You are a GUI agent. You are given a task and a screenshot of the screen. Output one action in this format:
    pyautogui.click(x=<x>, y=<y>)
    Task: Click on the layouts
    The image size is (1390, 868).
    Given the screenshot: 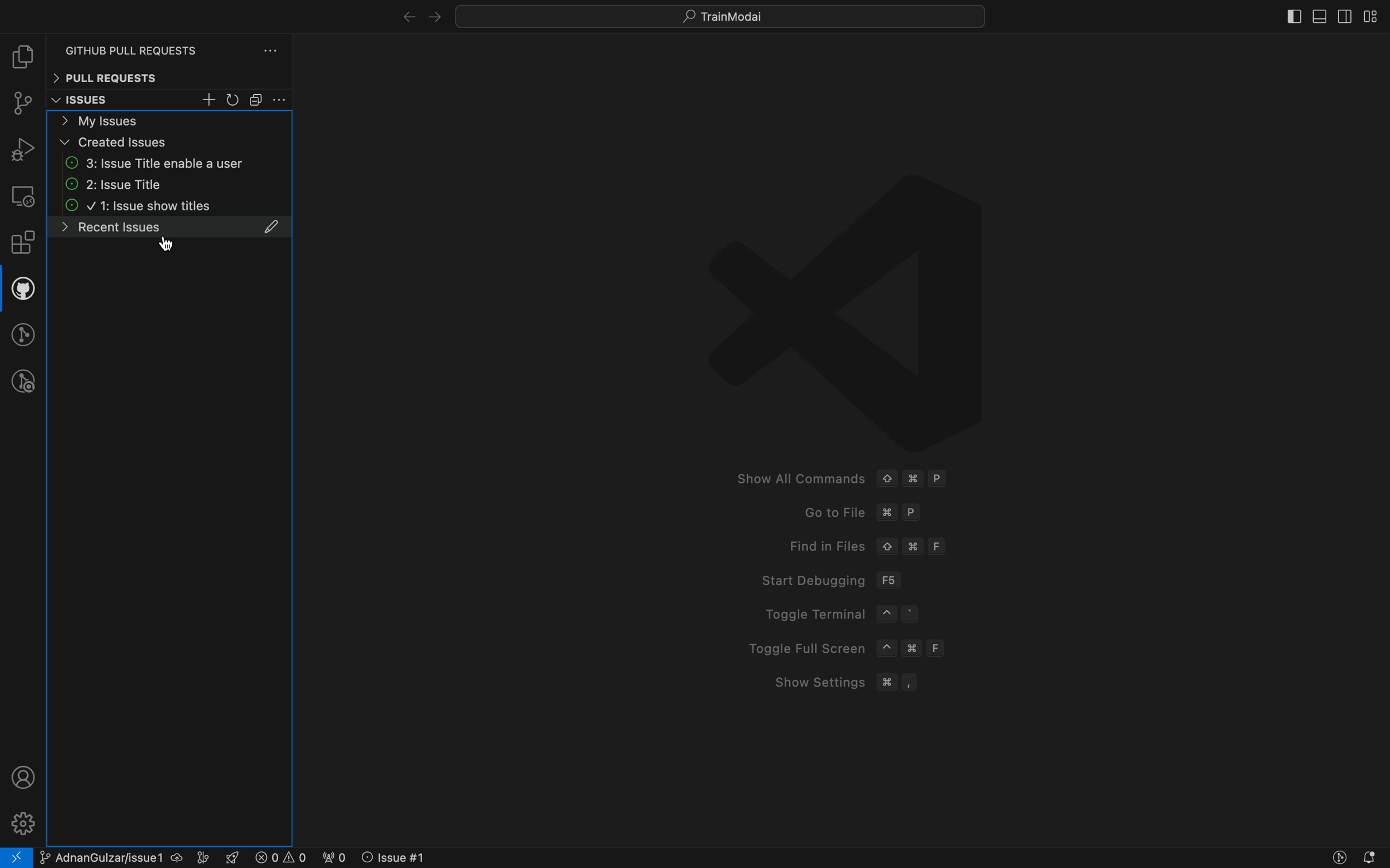 What is the action you would take?
    pyautogui.click(x=1371, y=16)
    